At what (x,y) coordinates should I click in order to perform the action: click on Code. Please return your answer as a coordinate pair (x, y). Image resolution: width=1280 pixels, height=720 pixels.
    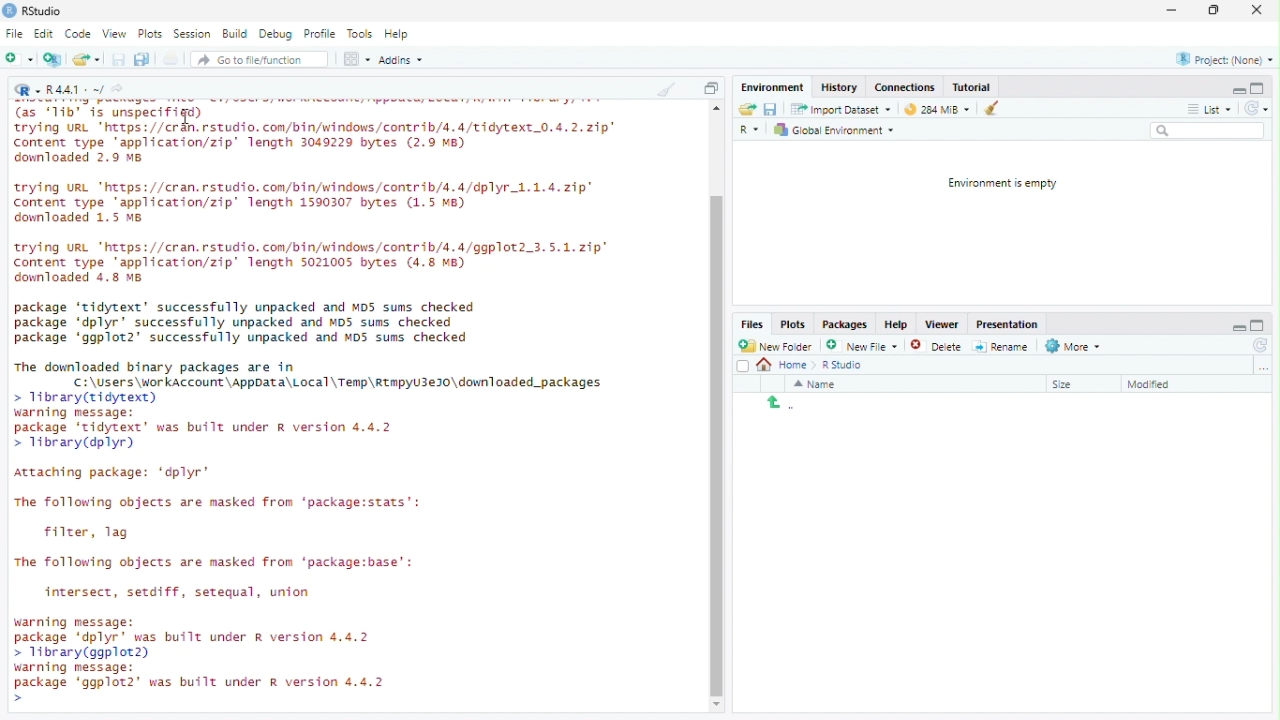
    Looking at the image, I should click on (78, 33).